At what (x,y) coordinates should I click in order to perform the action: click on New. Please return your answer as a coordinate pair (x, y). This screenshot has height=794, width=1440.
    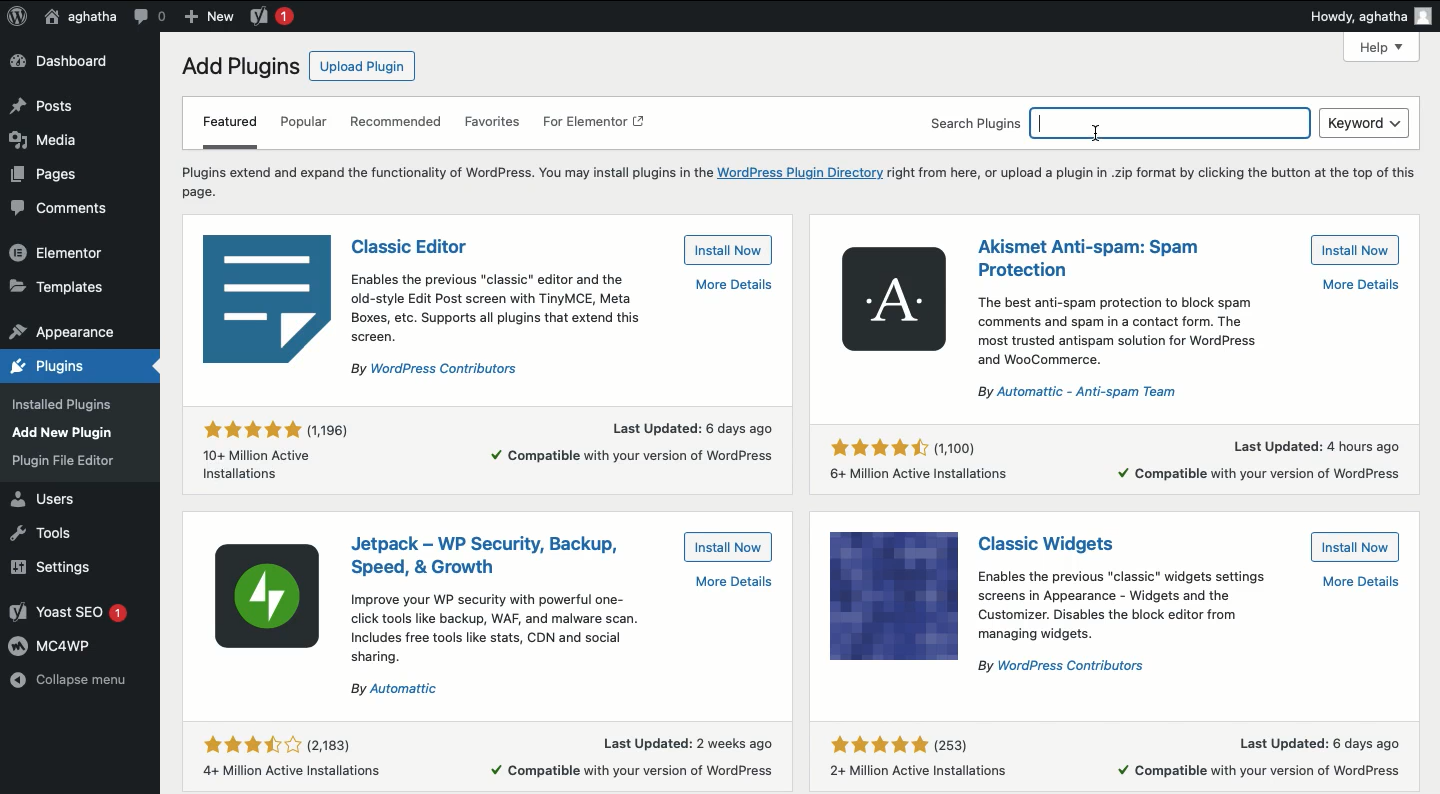
    Looking at the image, I should click on (207, 17).